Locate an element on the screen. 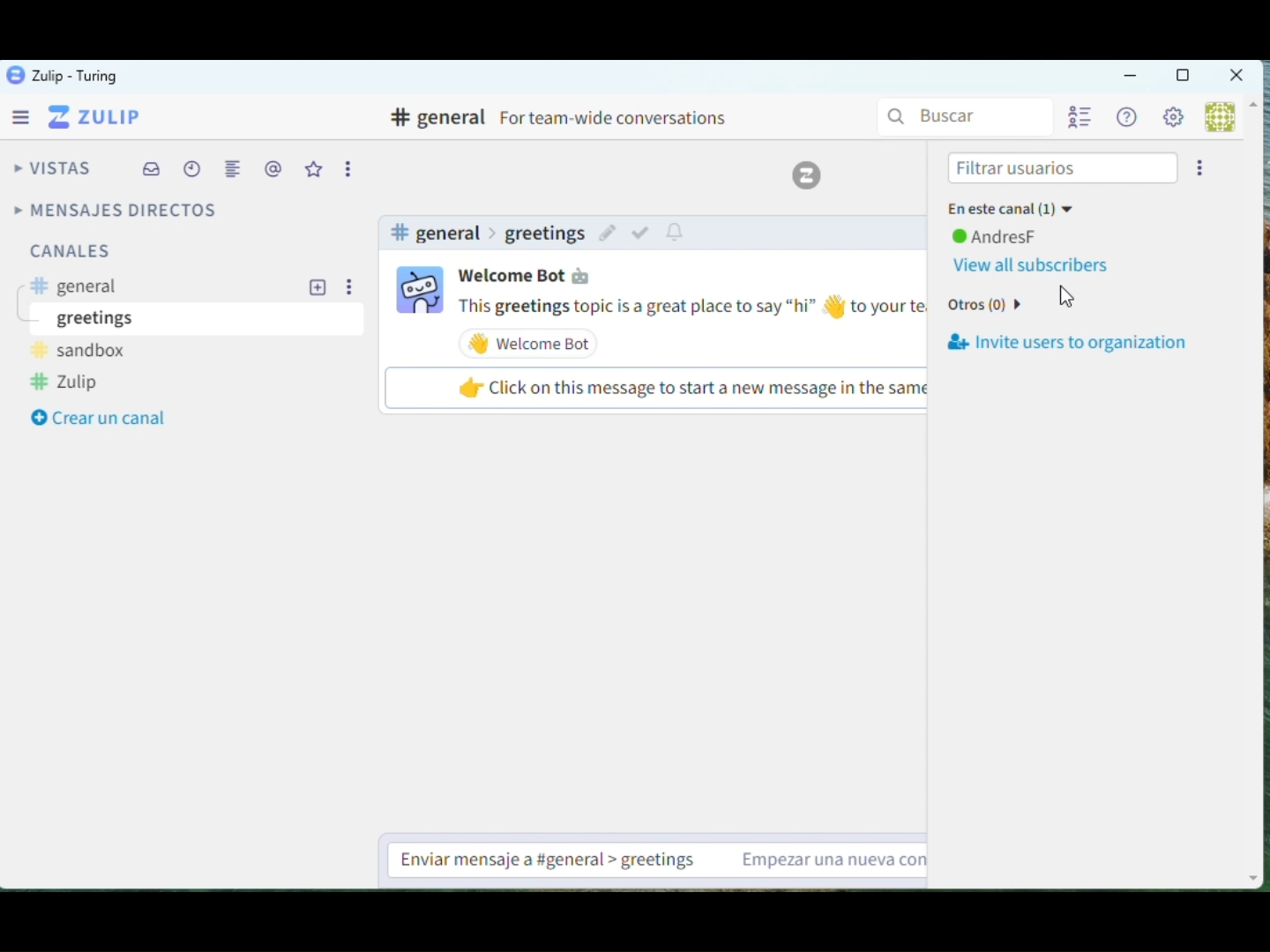  Box is located at coordinates (1184, 71).